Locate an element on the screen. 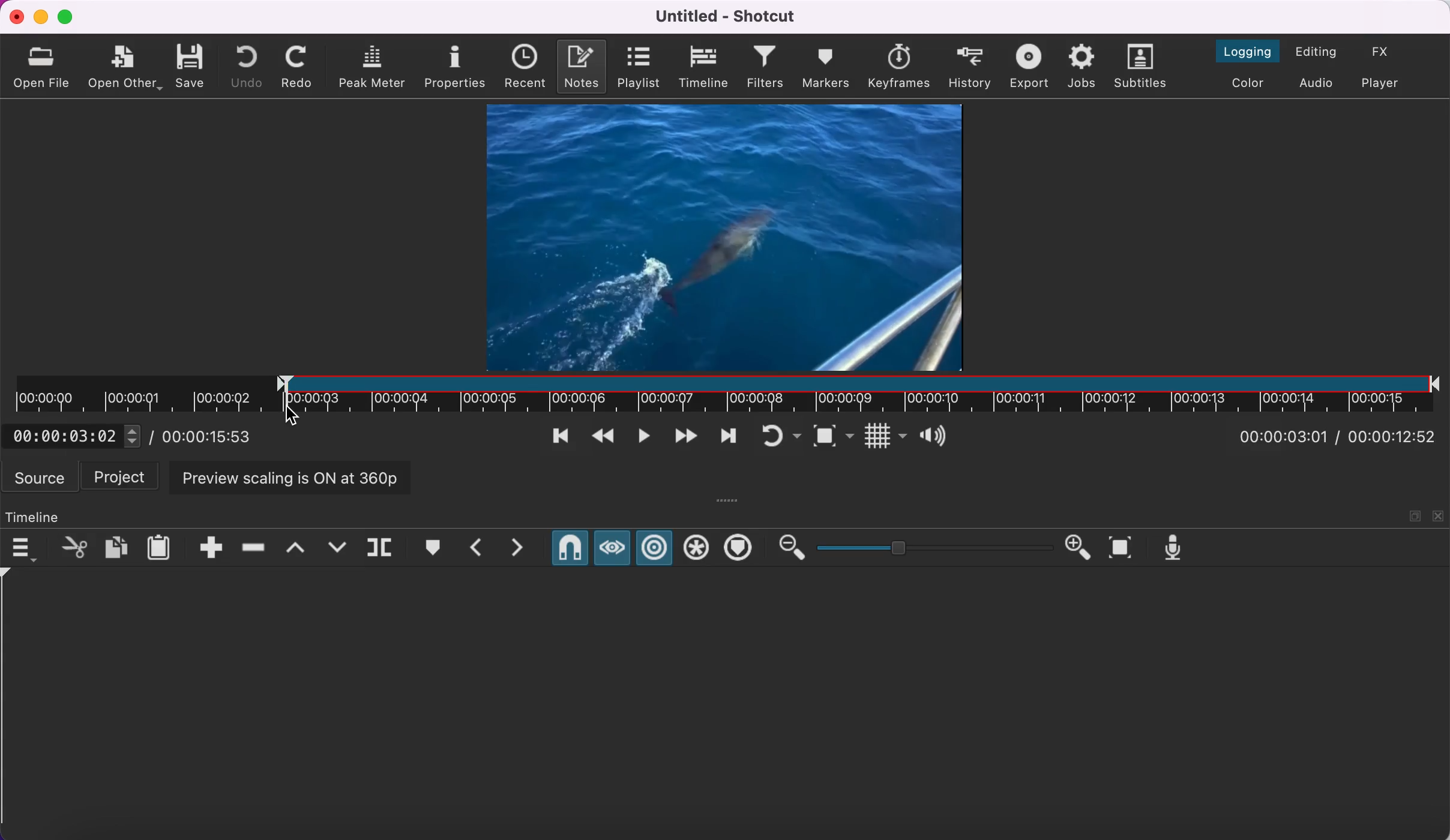 The image size is (1450, 840). overwrite is located at coordinates (336, 547).